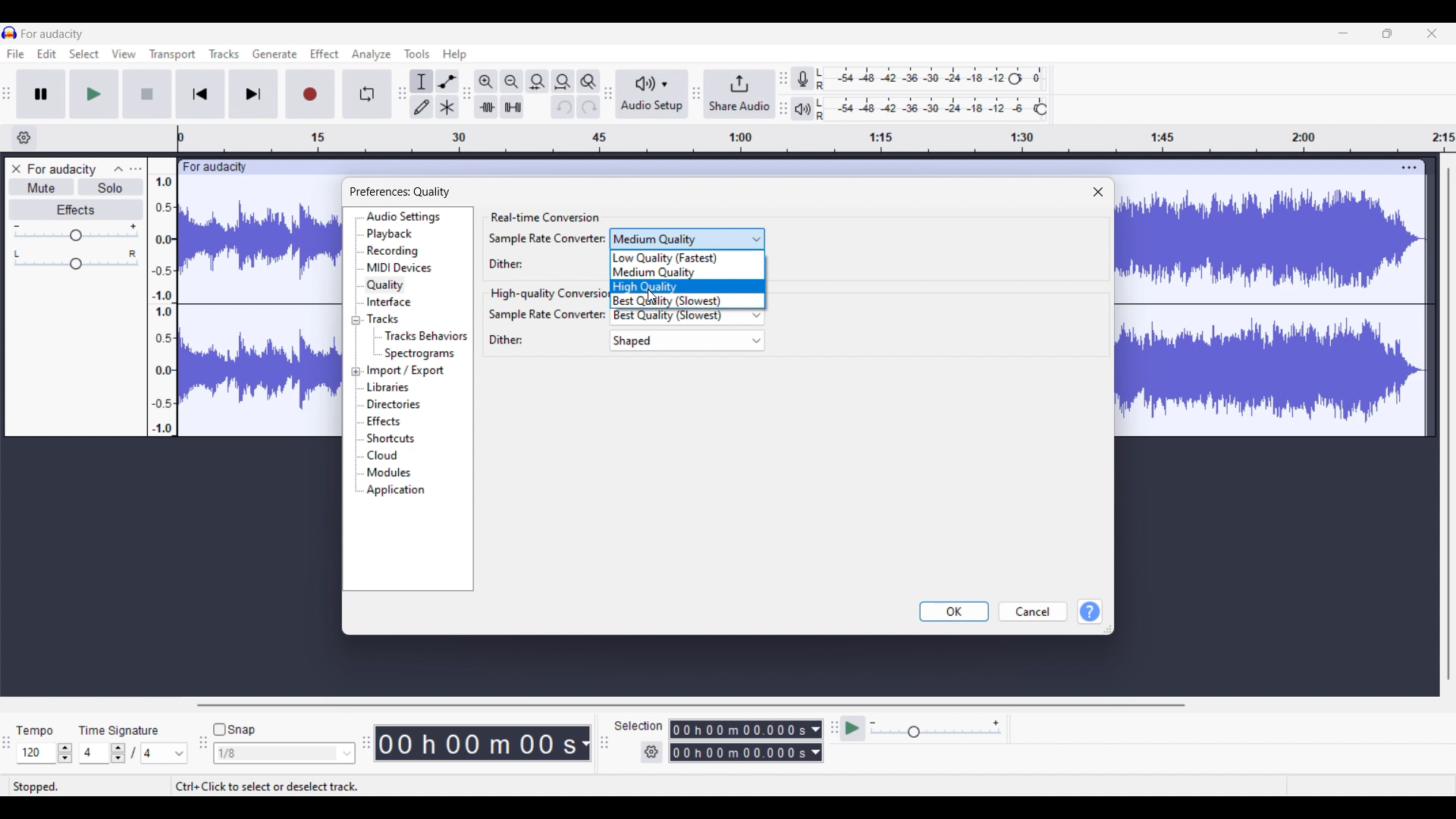  What do you see at coordinates (739, 94) in the screenshot?
I see `Share audio` at bounding box center [739, 94].